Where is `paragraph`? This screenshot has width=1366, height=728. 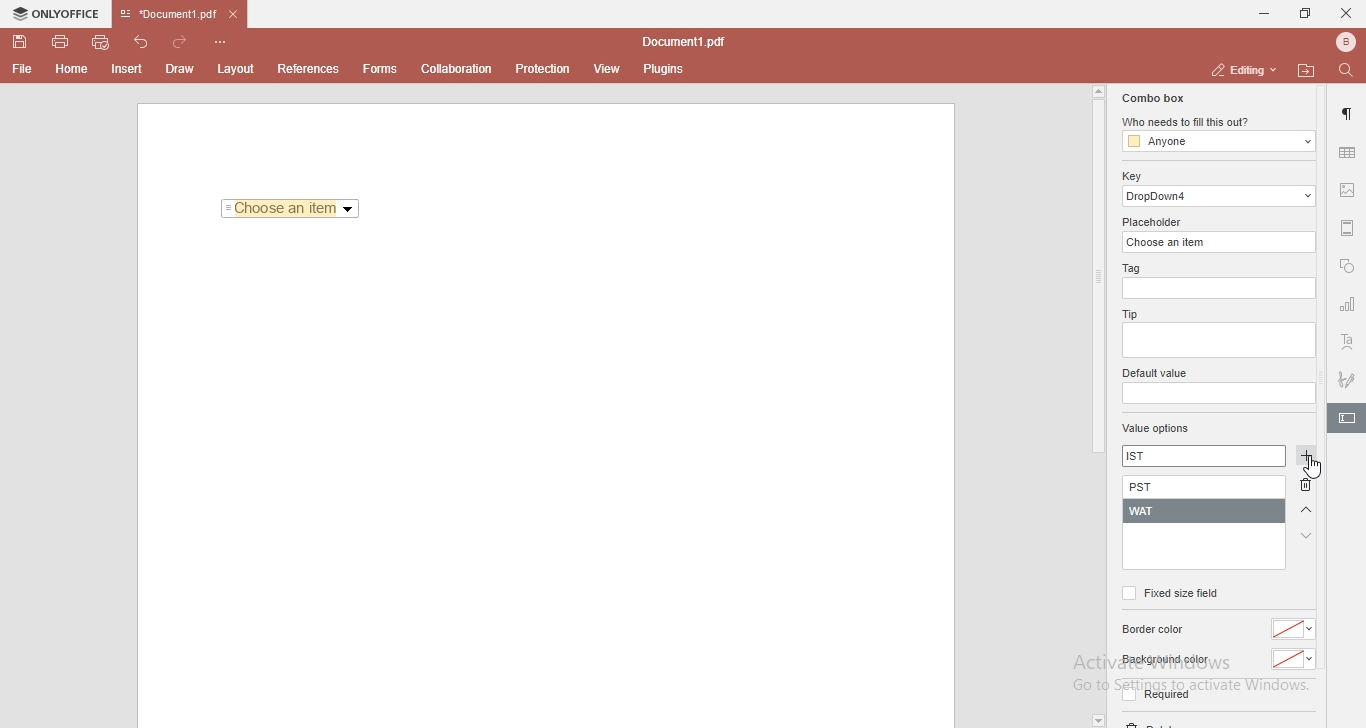 paragraph is located at coordinates (1349, 114).